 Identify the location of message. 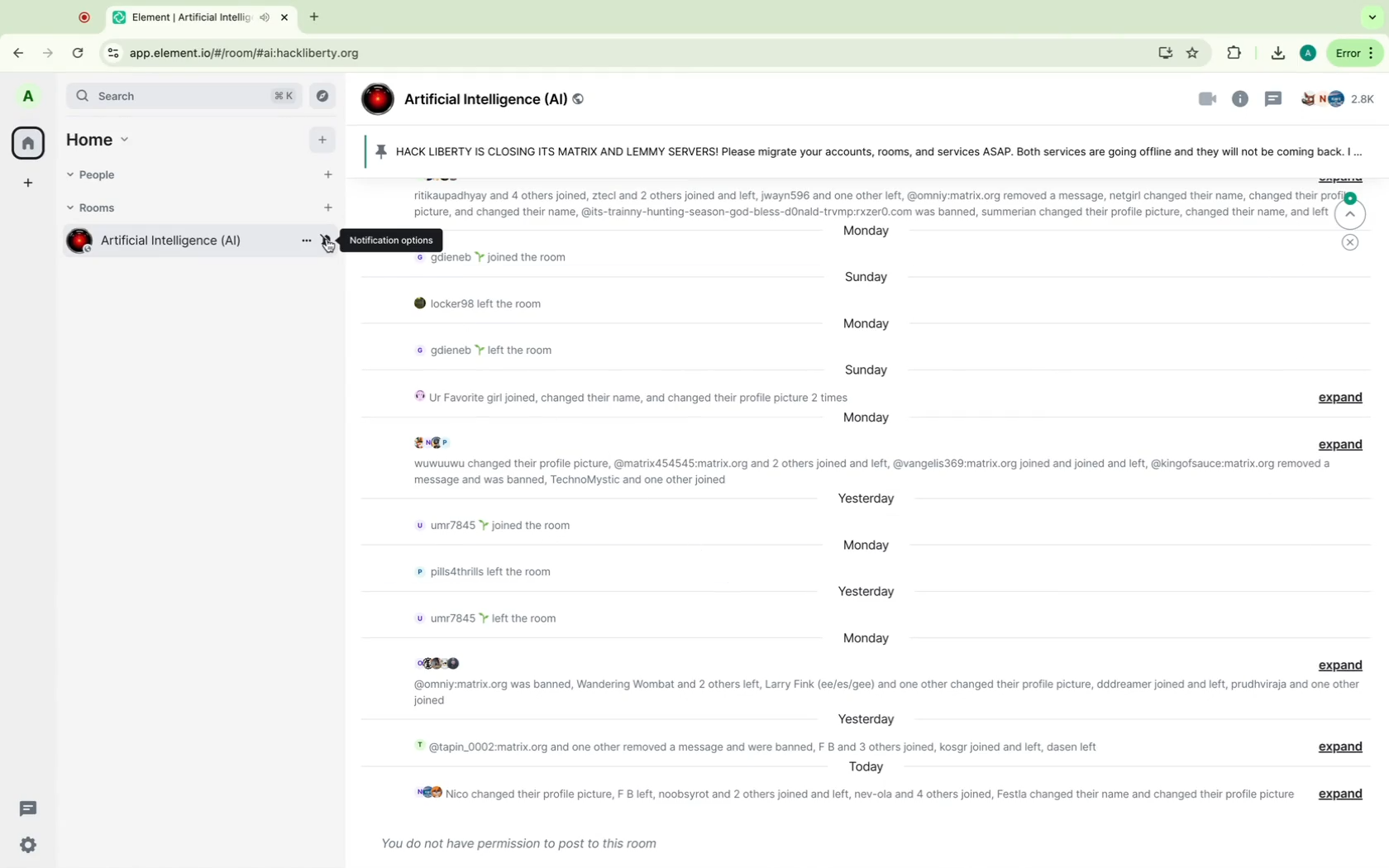
(491, 574).